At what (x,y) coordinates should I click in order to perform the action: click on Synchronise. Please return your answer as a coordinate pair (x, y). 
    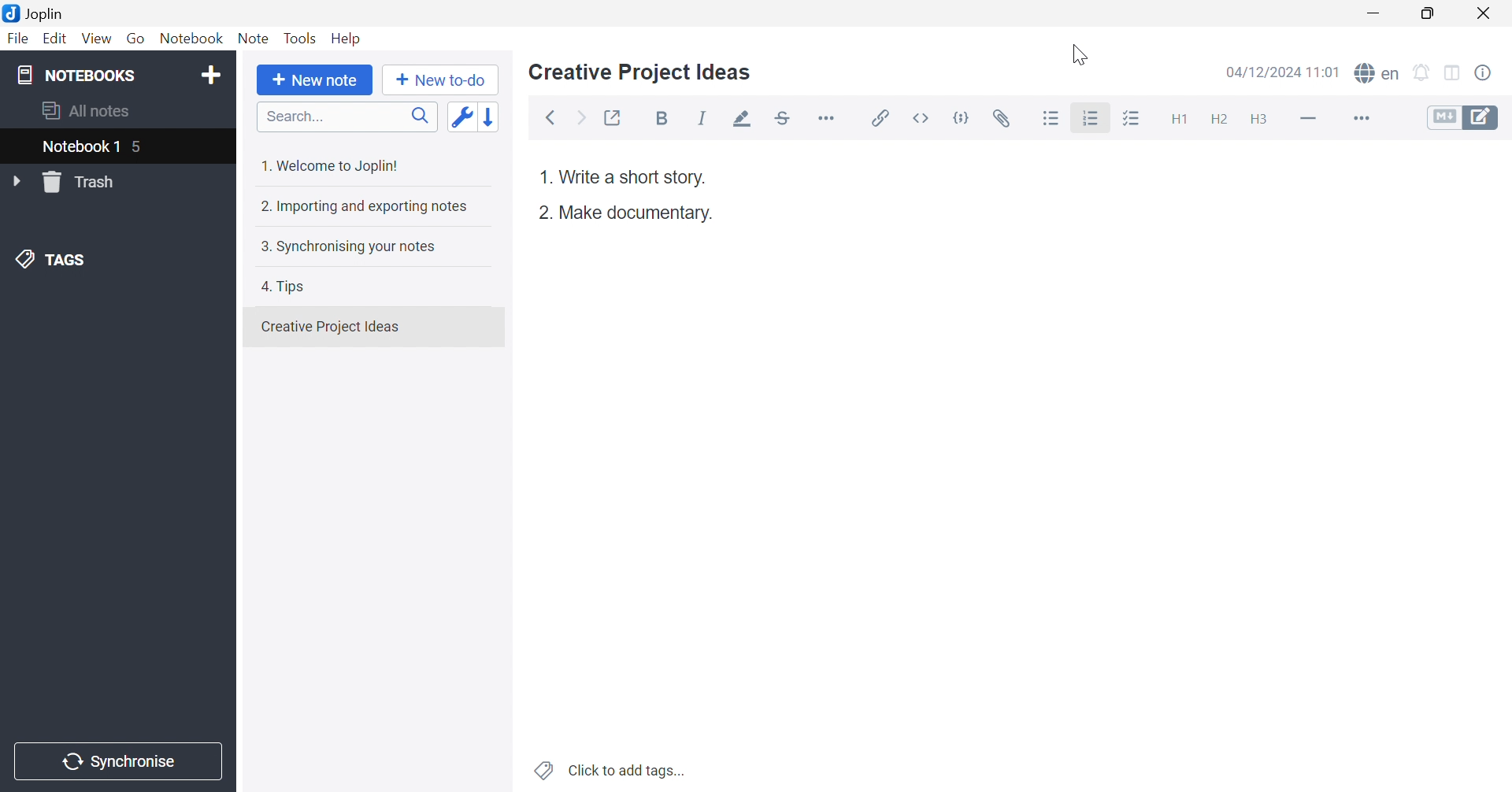
    Looking at the image, I should click on (120, 762).